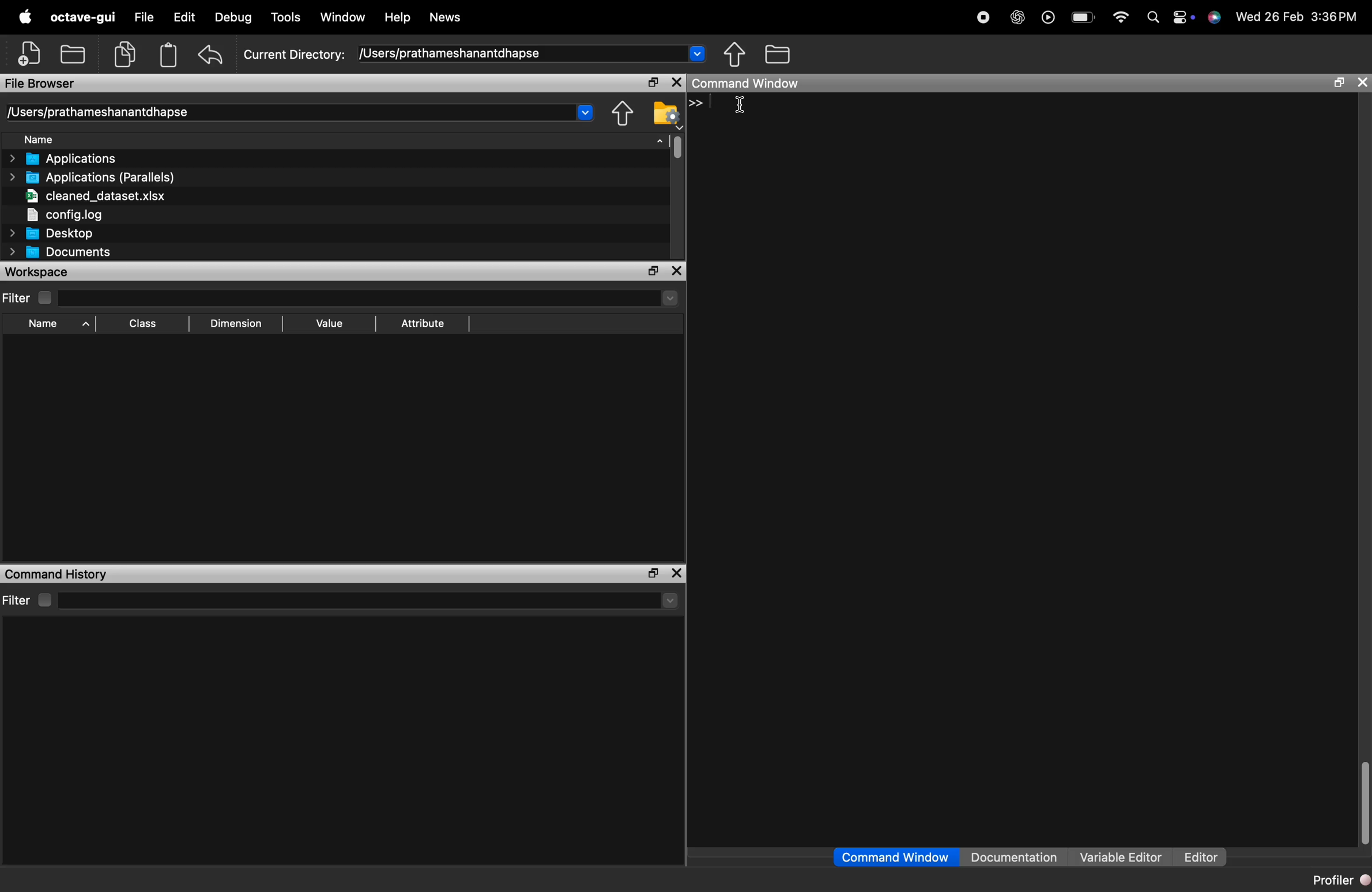 The width and height of the screenshot is (1372, 892). I want to click on Name, so click(74, 140).